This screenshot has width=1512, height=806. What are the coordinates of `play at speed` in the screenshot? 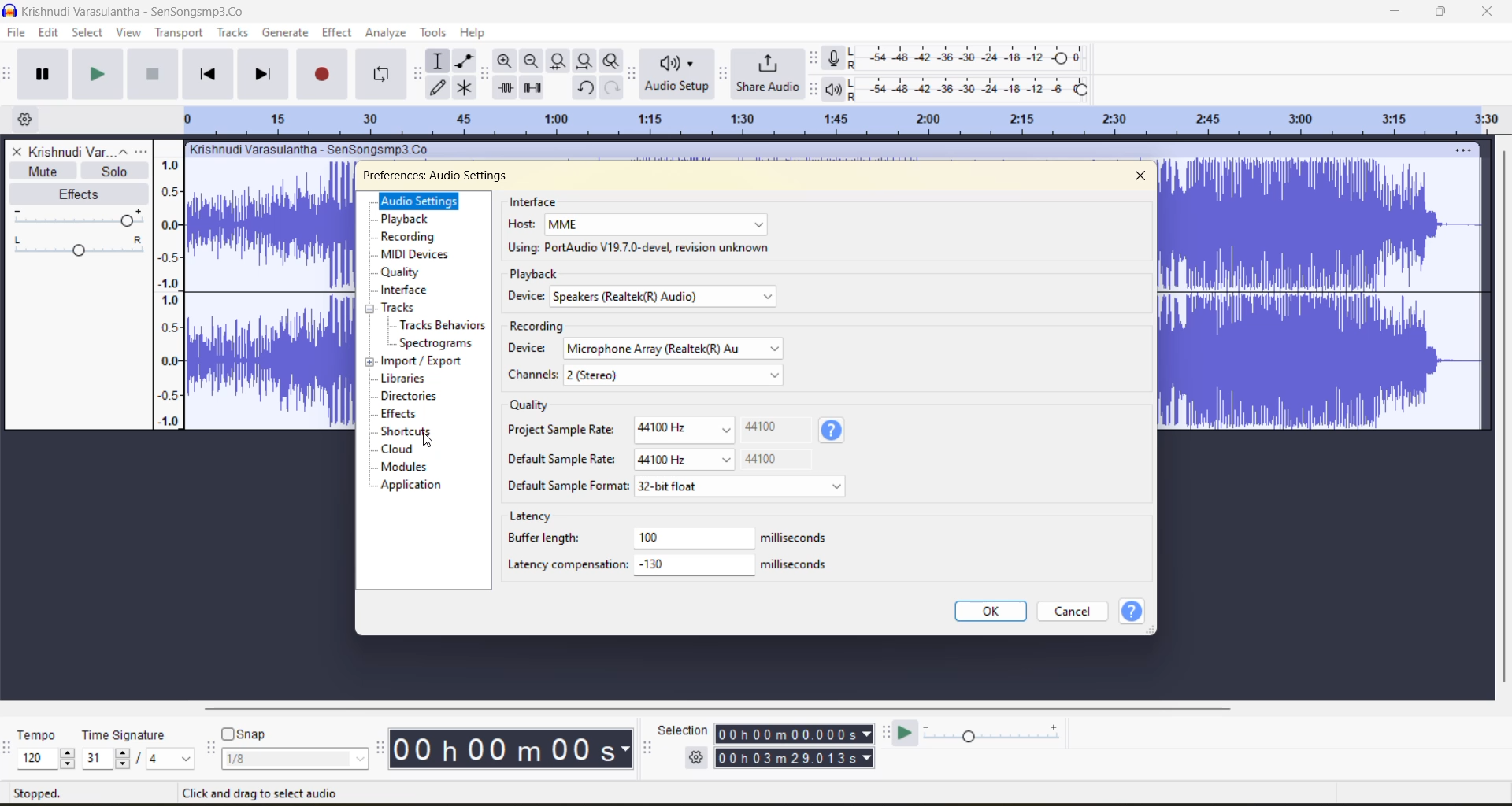 It's located at (910, 732).